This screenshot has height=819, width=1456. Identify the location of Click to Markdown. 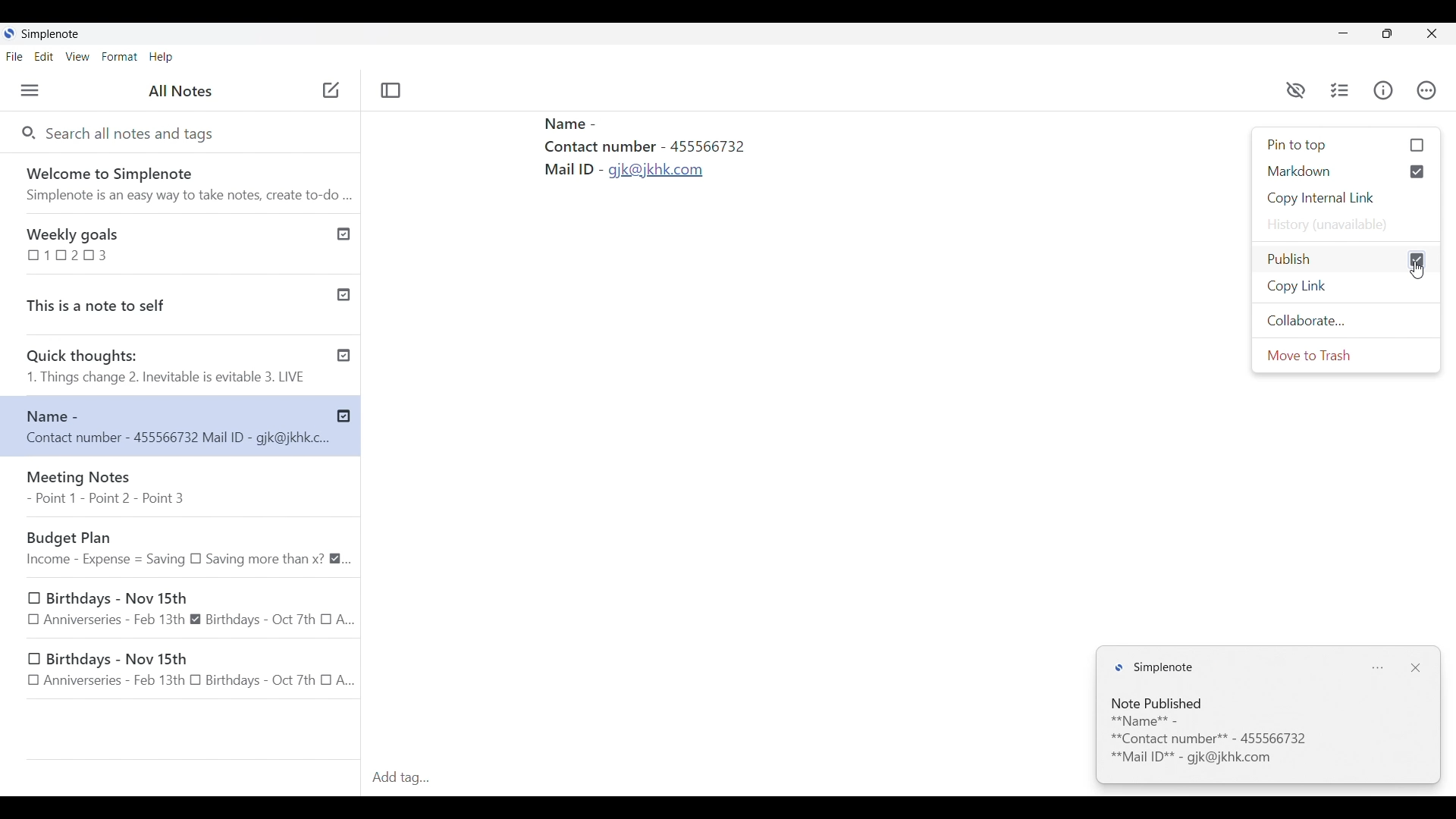
(1347, 171).